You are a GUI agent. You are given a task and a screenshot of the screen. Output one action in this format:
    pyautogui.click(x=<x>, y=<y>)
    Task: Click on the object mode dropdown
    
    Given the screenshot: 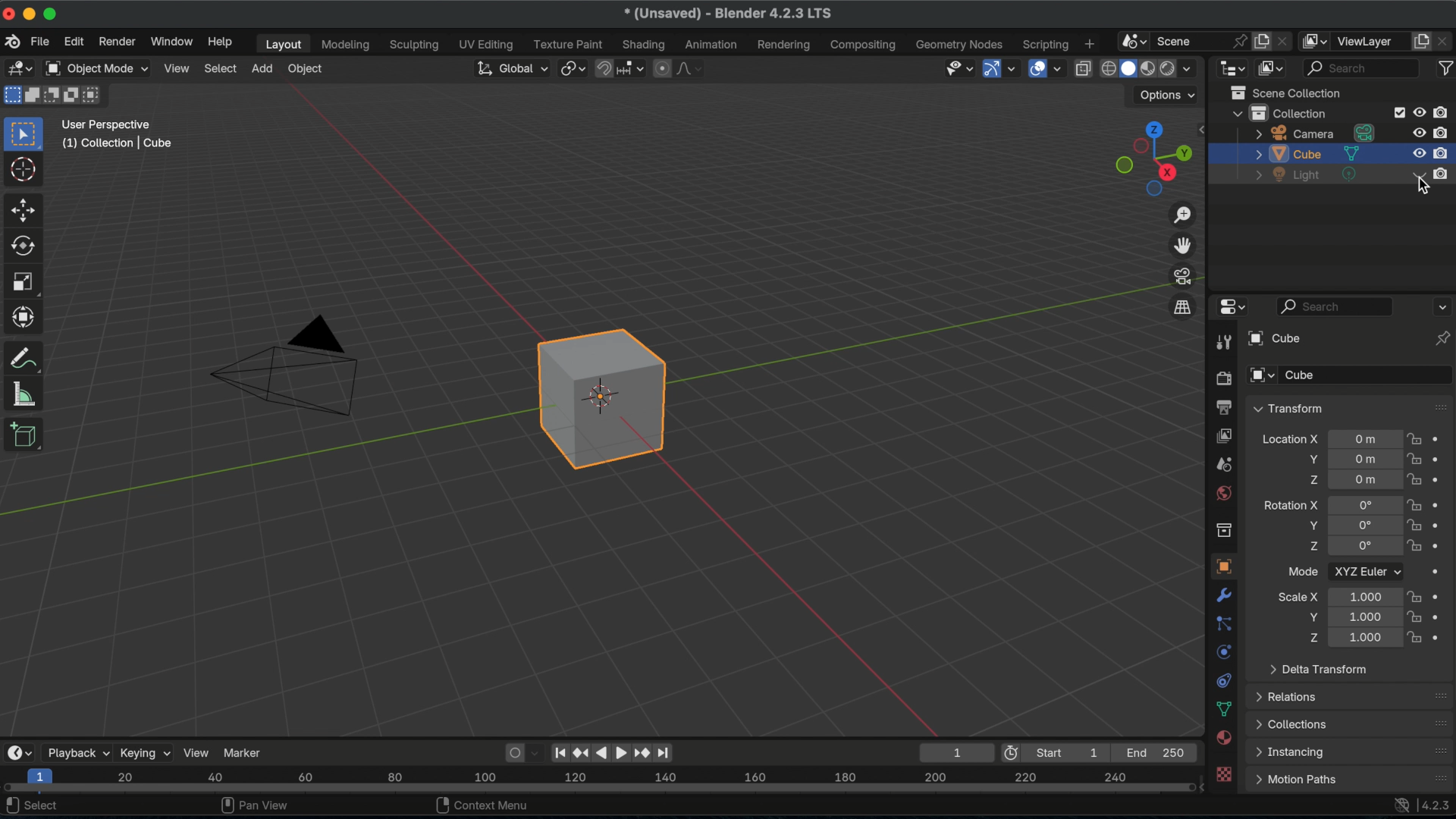 What is the action you would take?
    pyautogui.click(x=99, y=67)
    